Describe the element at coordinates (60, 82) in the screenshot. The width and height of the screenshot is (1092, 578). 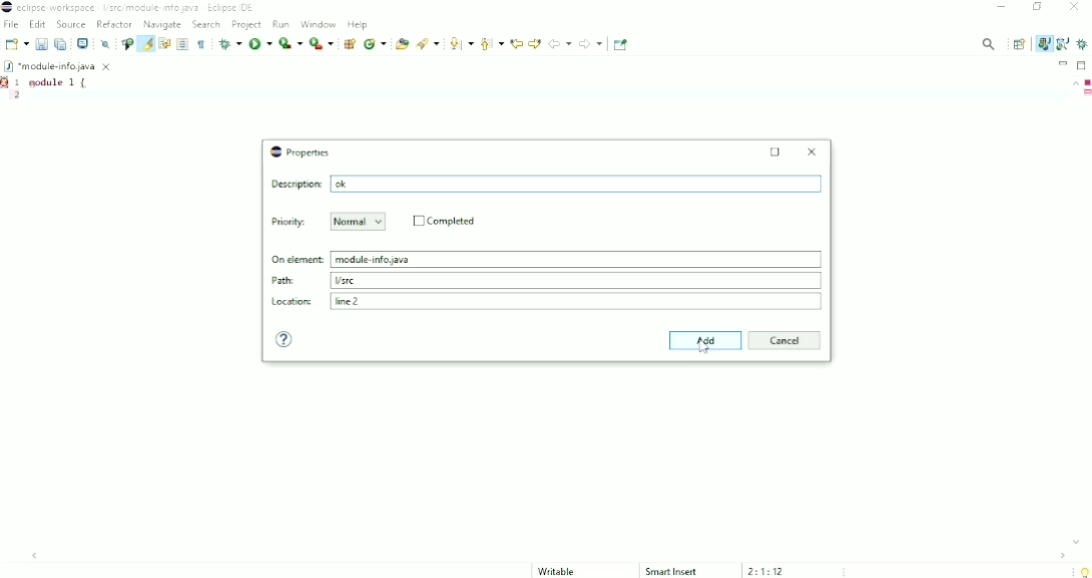
I see `module 1` at that location.